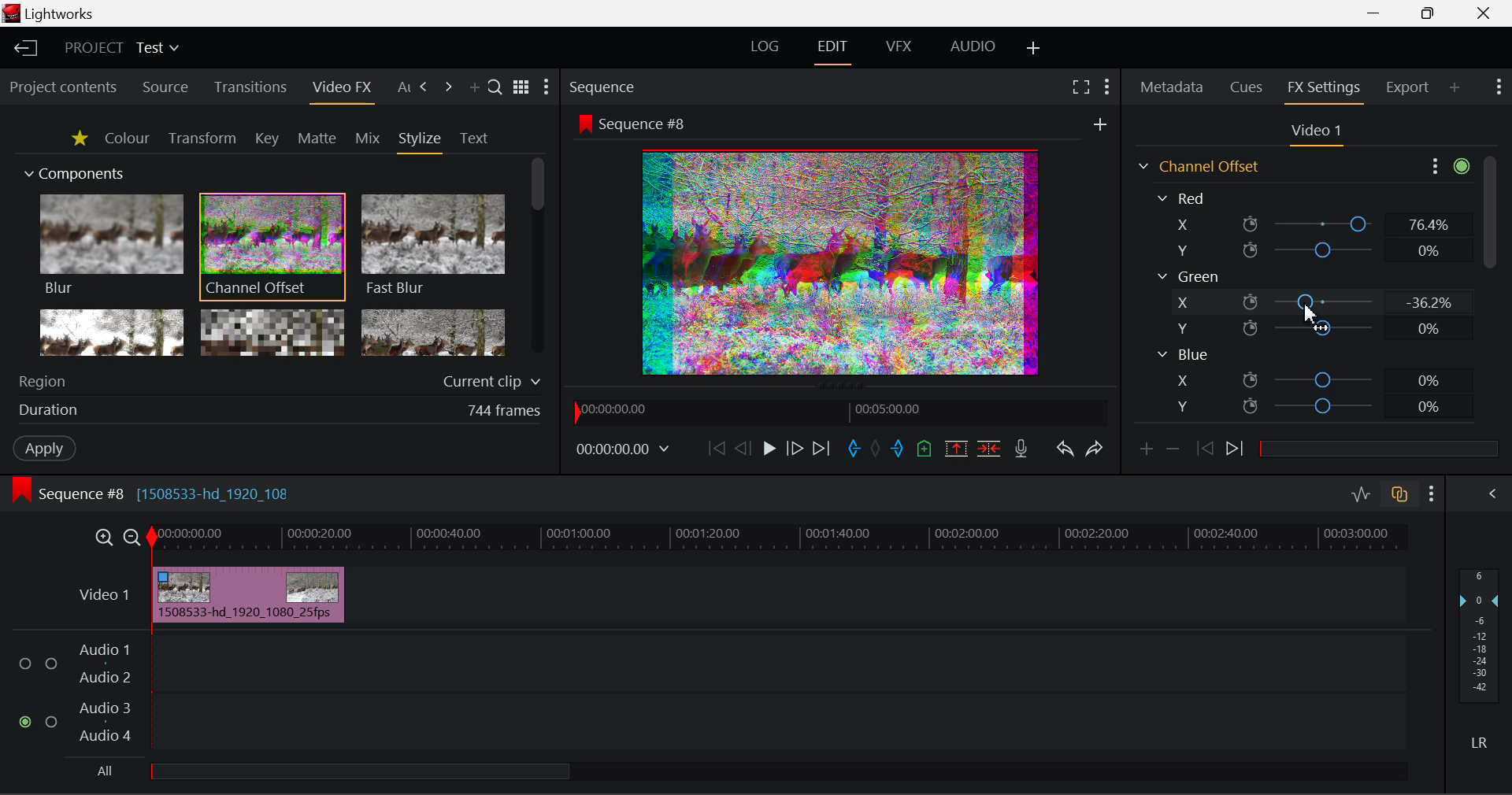 This screenshot has height=795, width=1512. I want to click on Components Section, so click(72, 171).